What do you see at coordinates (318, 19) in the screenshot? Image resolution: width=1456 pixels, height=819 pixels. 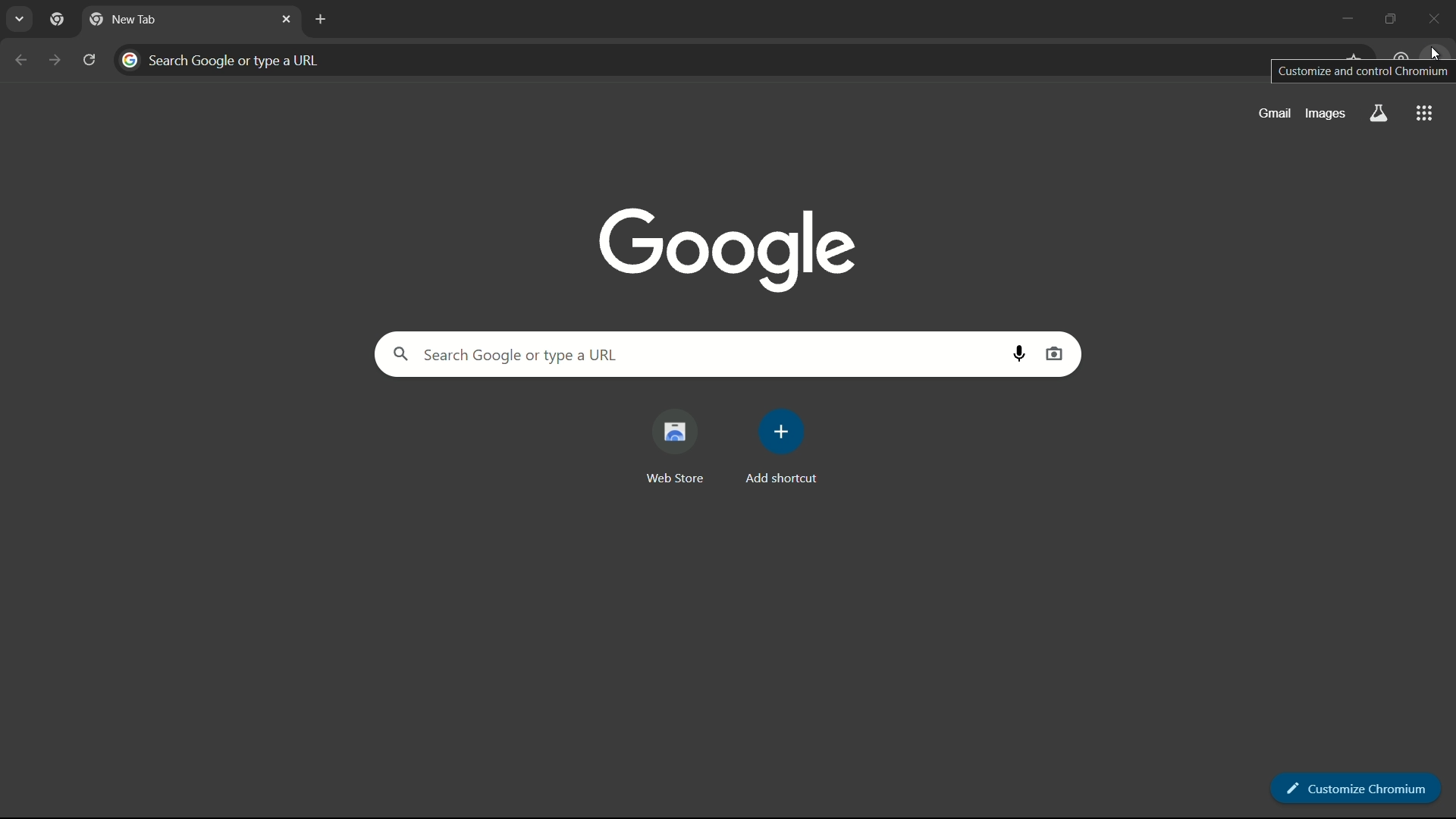 I see `new tab` at bounding box center [318, 19].